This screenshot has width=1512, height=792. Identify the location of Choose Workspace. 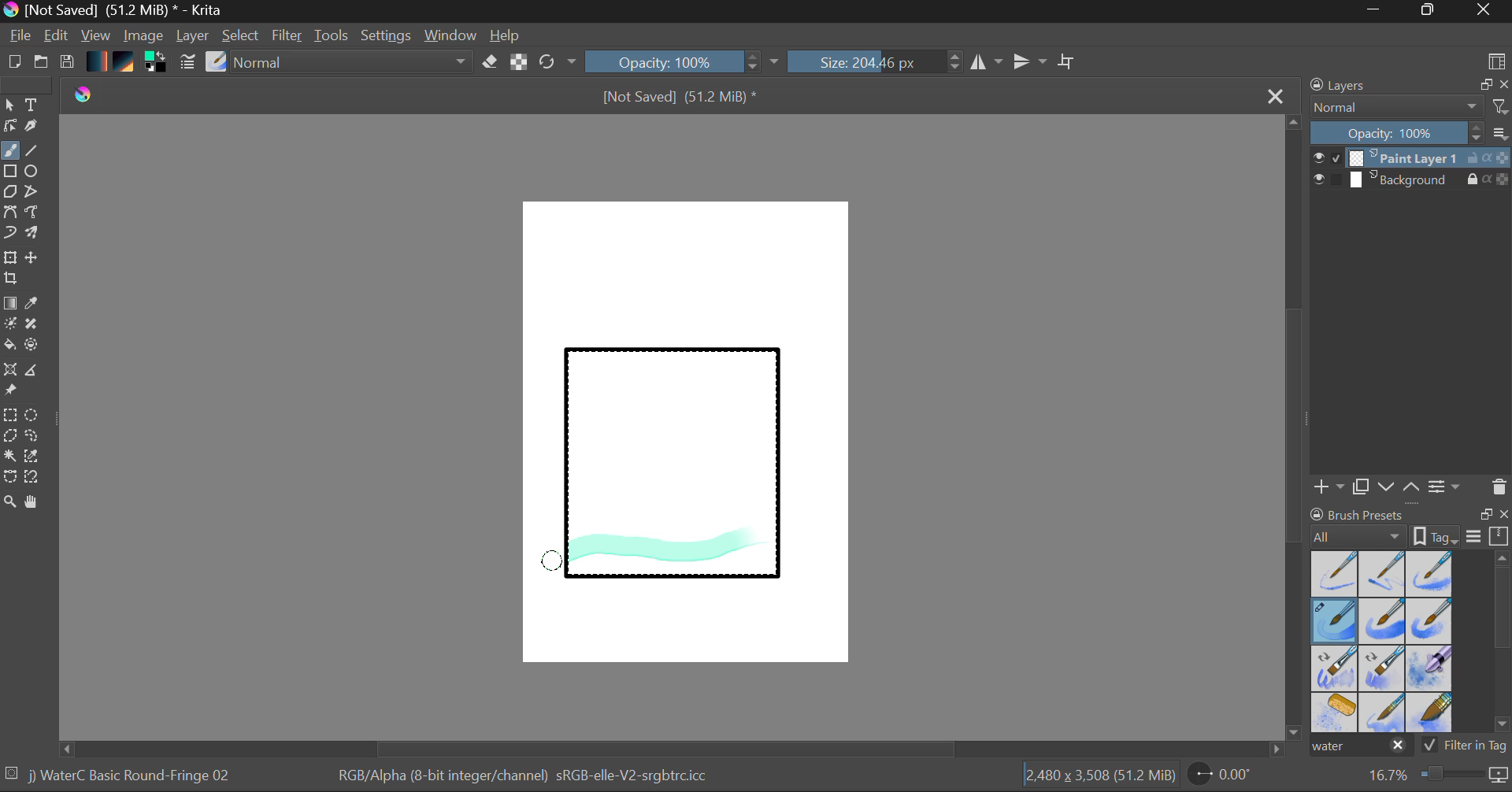
(1496, 60).